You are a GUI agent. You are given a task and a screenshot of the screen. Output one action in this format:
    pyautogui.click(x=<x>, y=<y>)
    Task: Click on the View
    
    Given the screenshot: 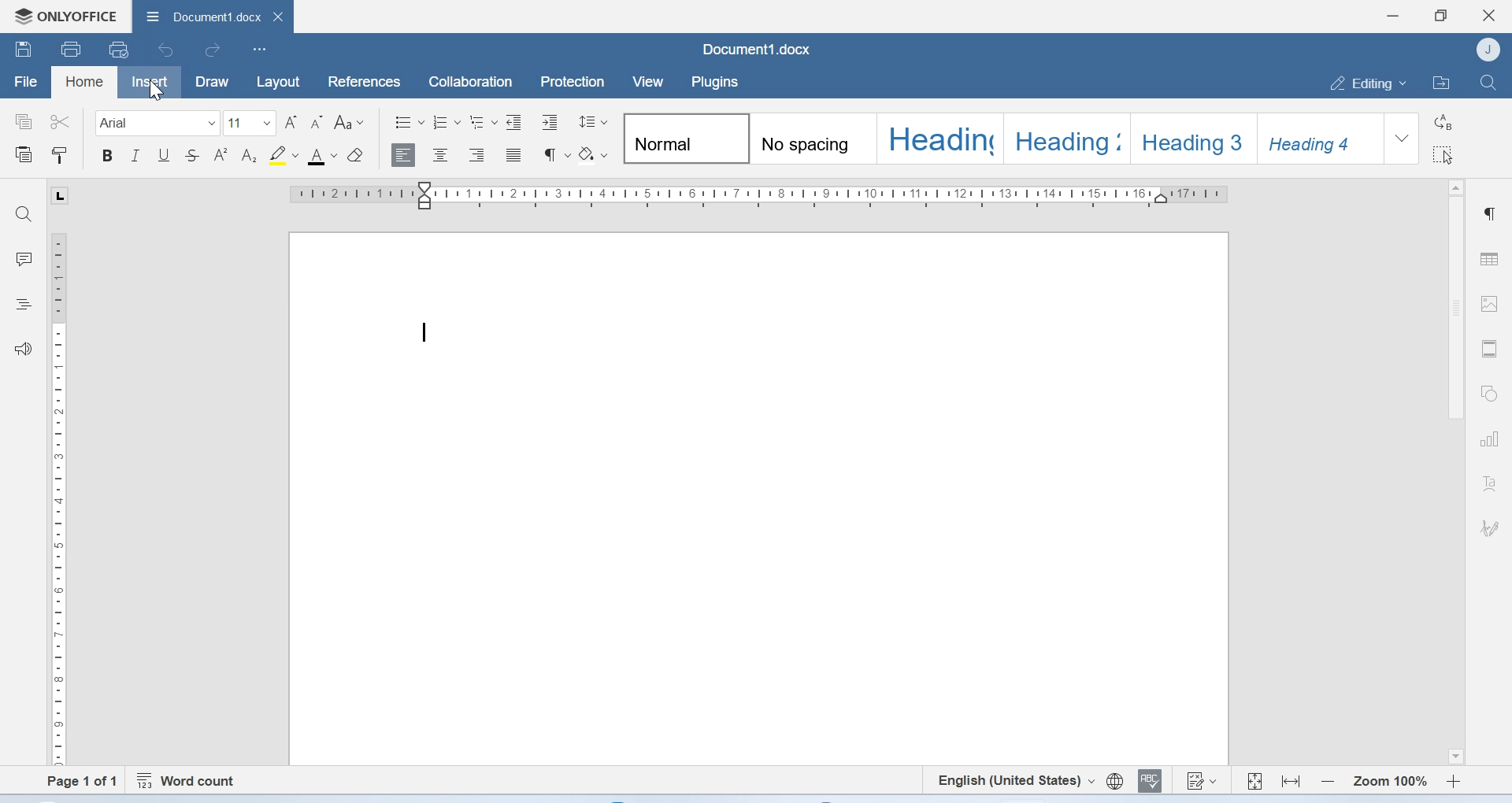 What is the action you would take?
    pyautogui.click(x=650, y=82)
    